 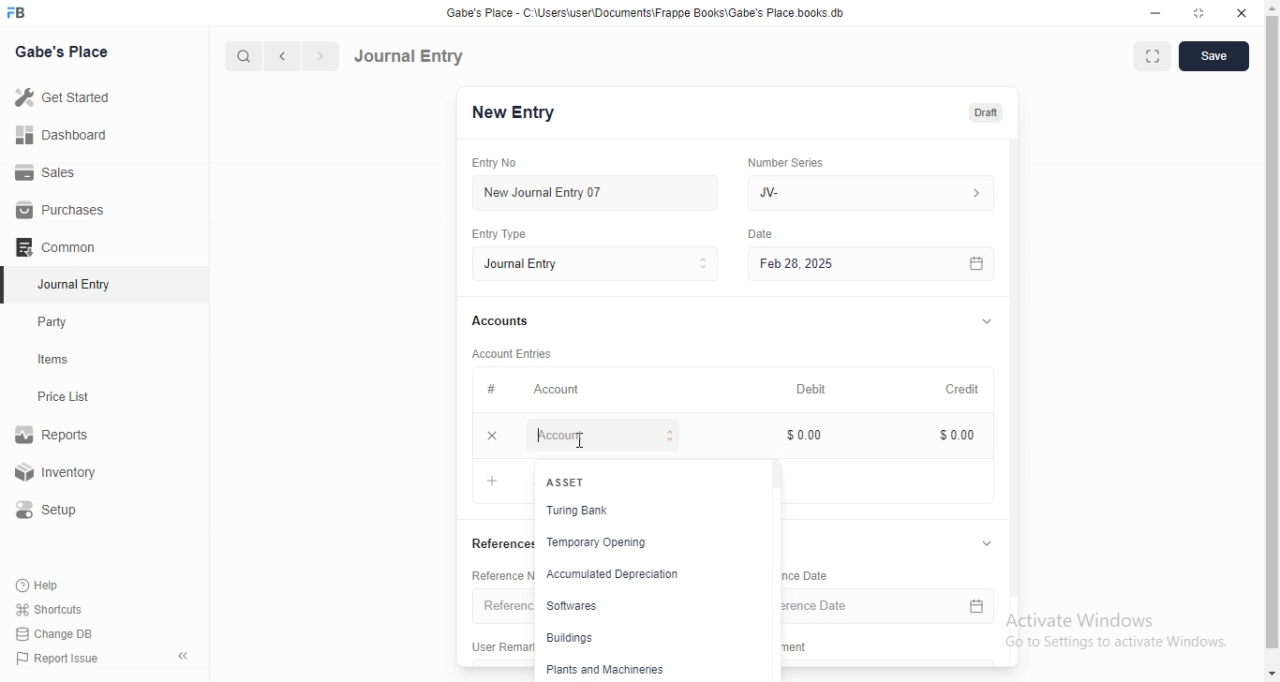 What do you see at coordinates (815, 387) in the screenshot?
I see `Debit` at bounding box center [815, 387].